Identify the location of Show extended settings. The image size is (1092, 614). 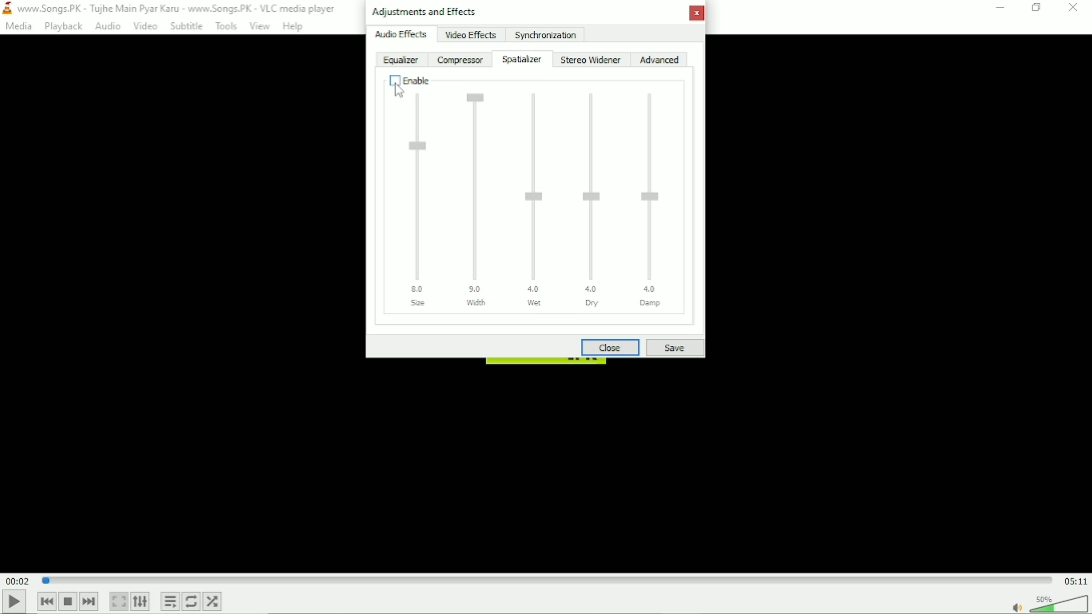
(140, 601).